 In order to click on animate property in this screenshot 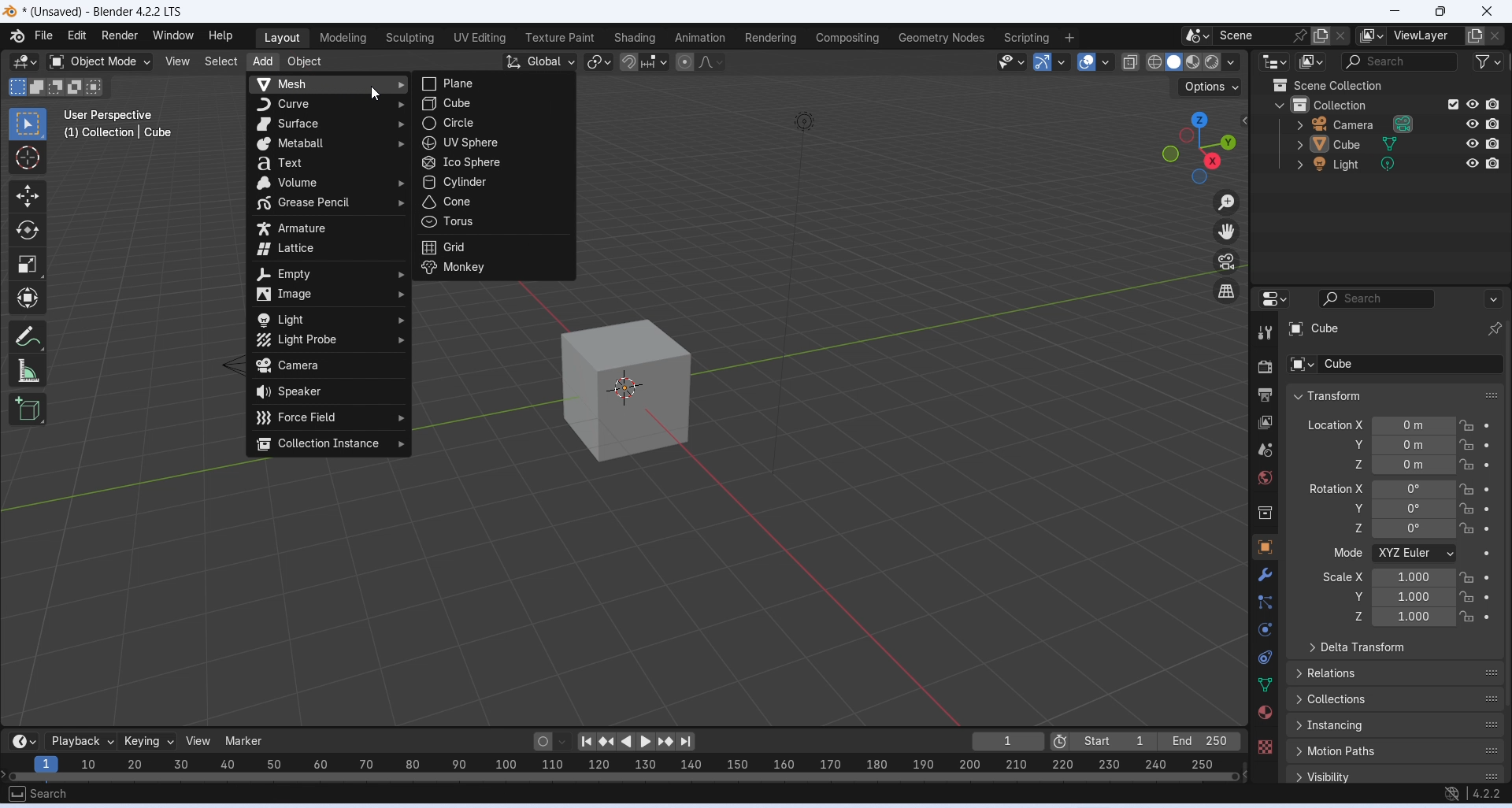, I will do `click(1488, 617)`.